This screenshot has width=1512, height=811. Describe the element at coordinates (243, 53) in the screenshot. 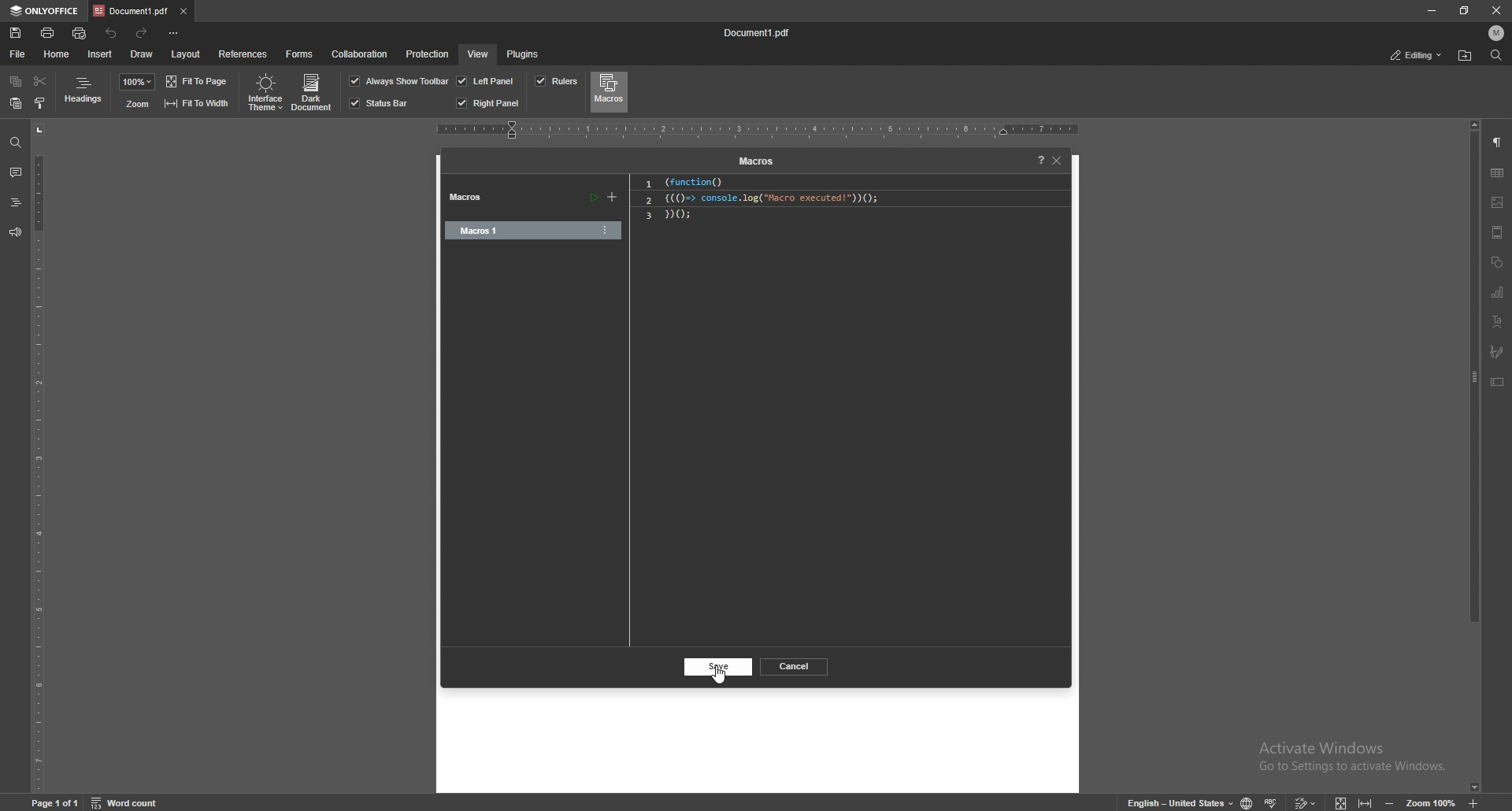

I see `references` at that location.